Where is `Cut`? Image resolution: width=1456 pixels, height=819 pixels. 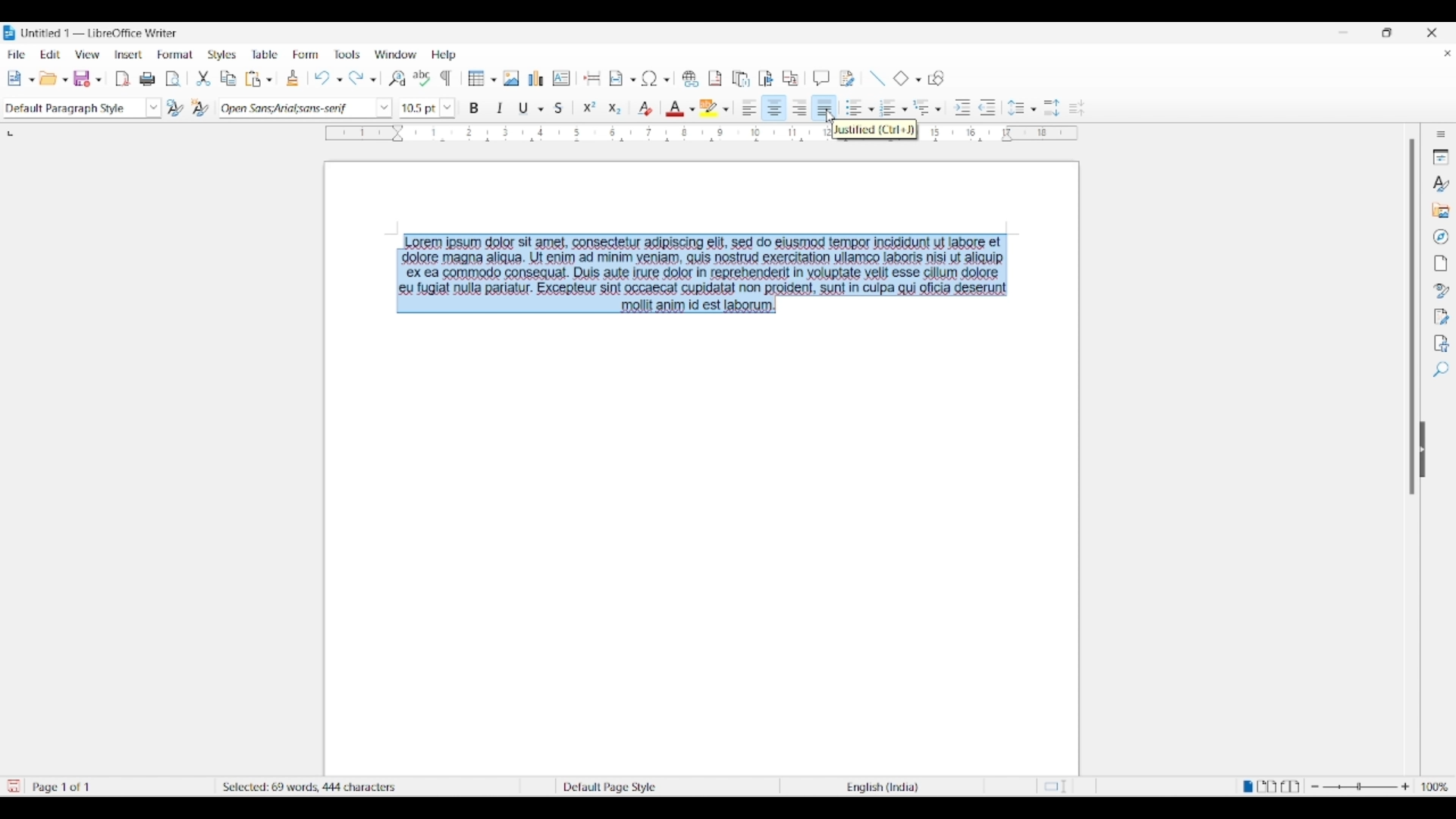 Cut is located at coordinates (203, 78).